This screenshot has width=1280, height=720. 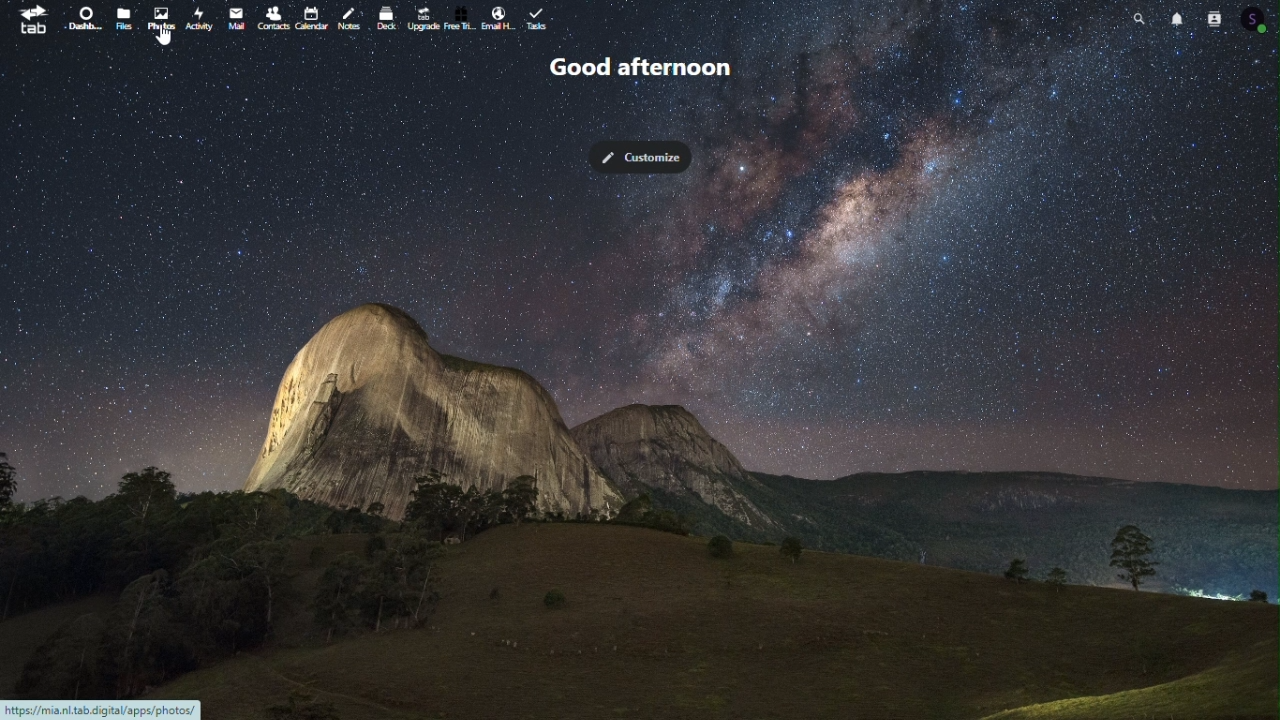 What do you see at coordinates (544, 17) in the screenshot?
I see `task` at bounding box center [544, 17].